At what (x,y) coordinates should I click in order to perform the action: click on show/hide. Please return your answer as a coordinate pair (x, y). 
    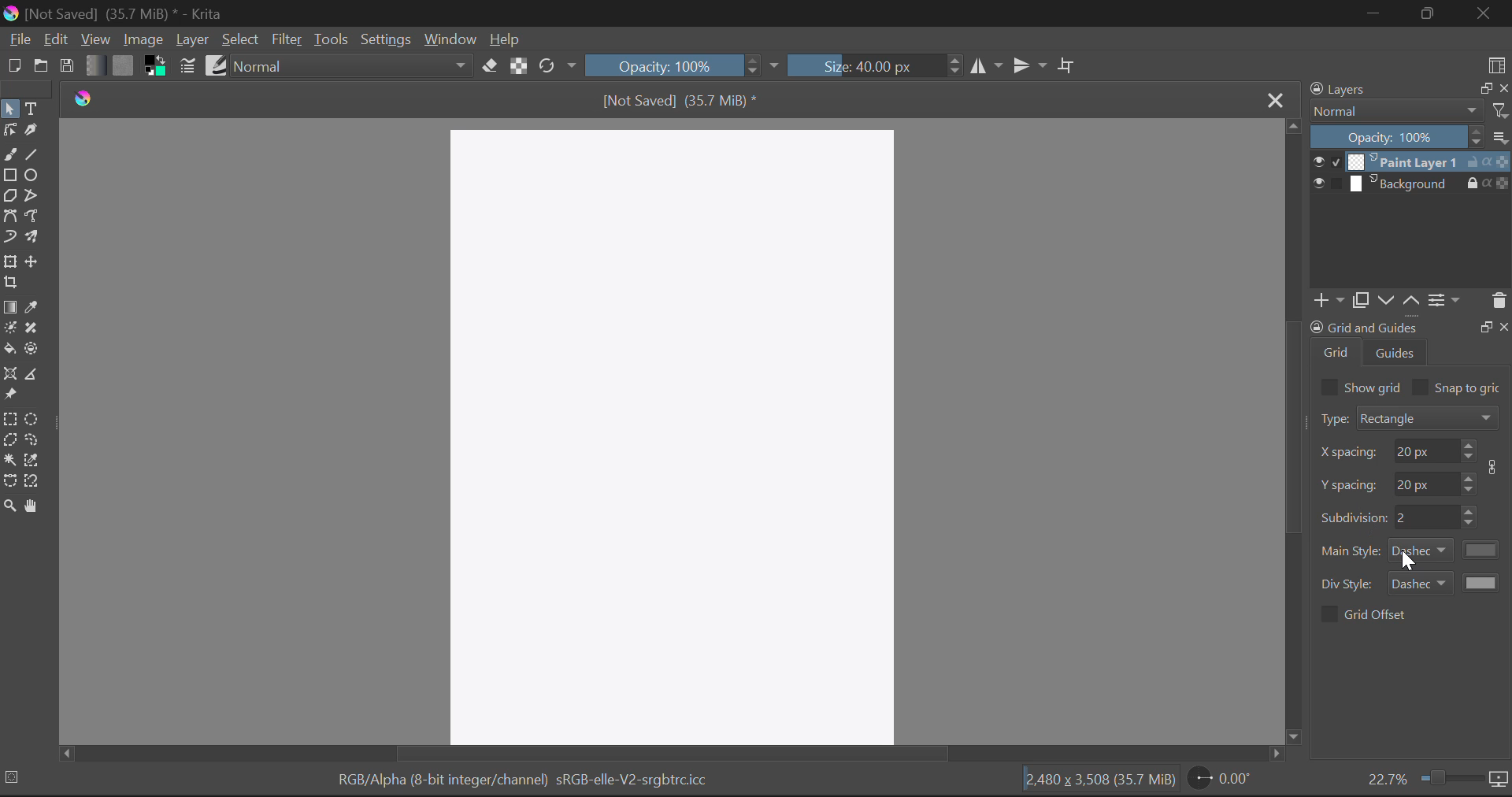
    Looking at the image, I should click on (1326, 161).